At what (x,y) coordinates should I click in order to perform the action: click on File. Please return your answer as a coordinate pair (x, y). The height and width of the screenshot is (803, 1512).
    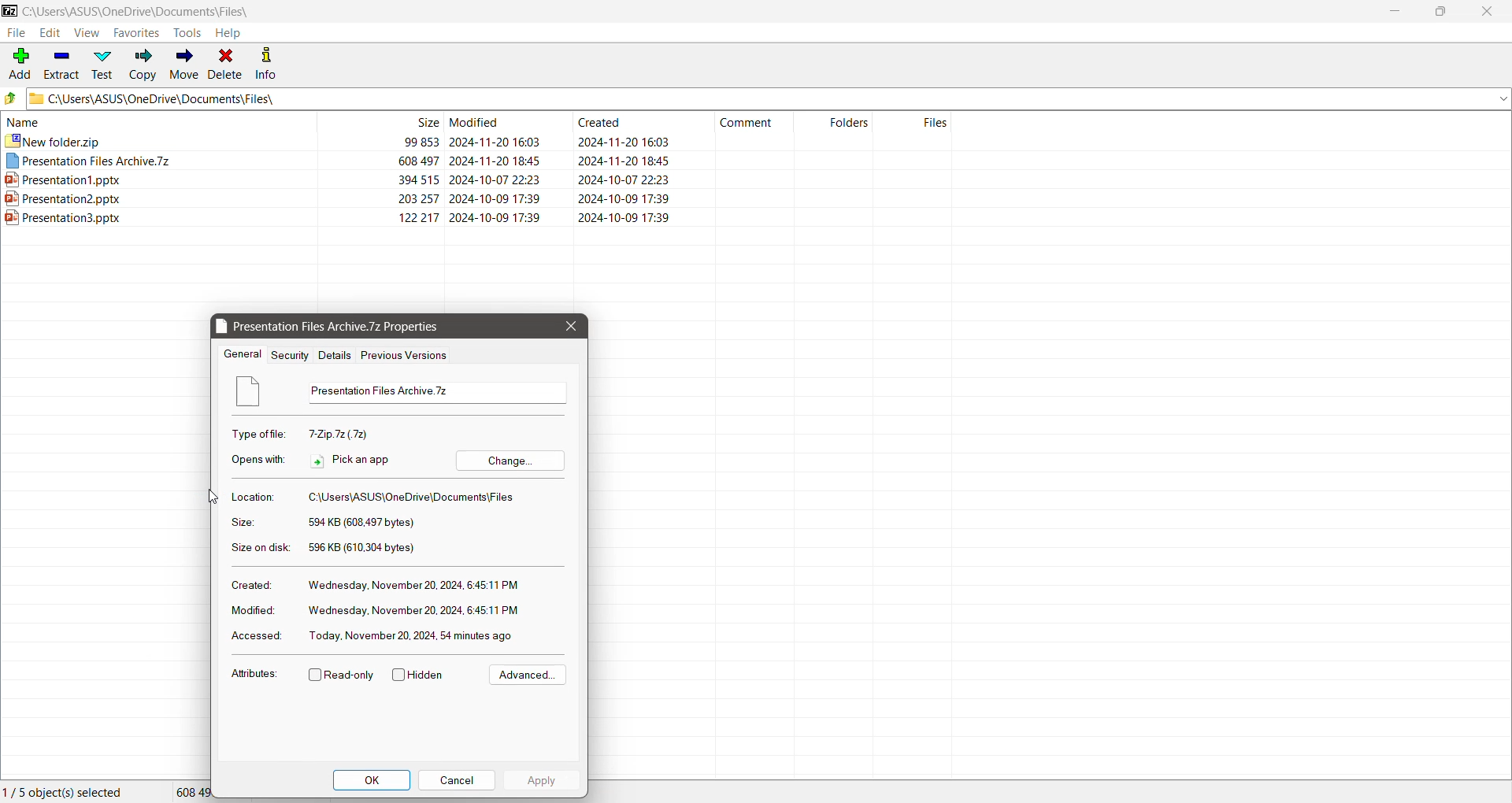
    Looking at the image, I should click on (14, 32).